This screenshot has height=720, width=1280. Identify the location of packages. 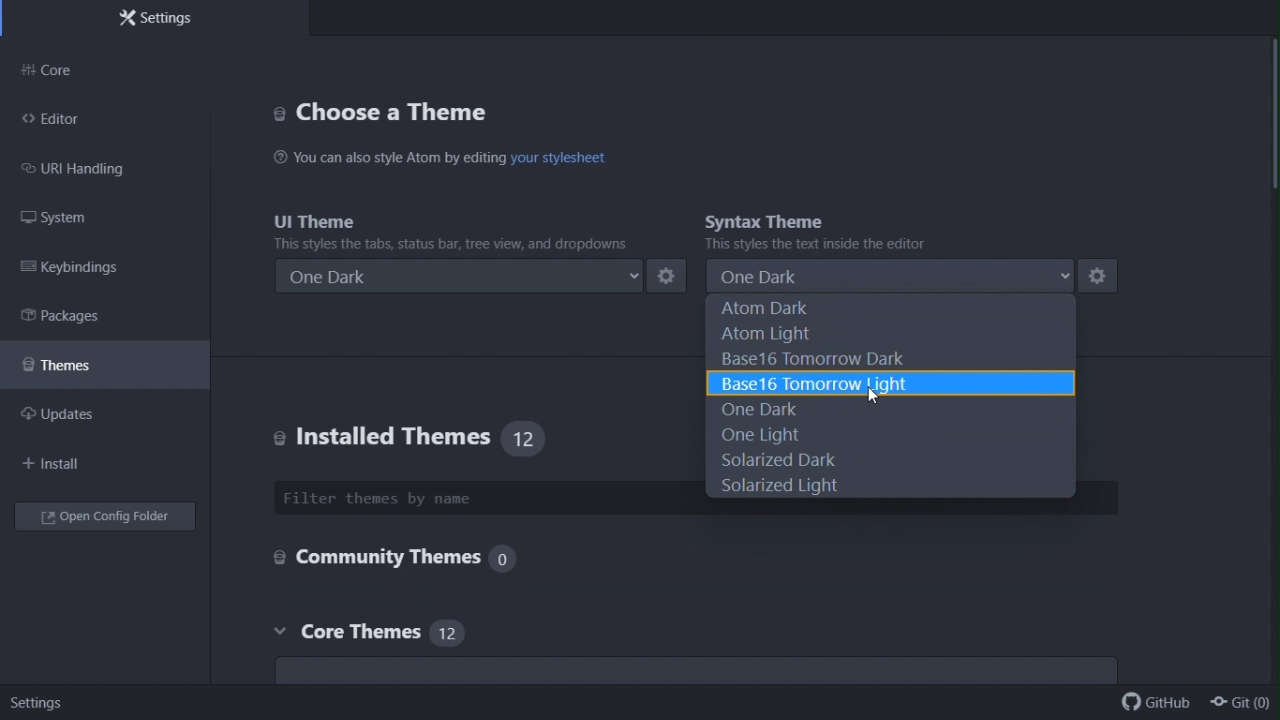
(83, 315).